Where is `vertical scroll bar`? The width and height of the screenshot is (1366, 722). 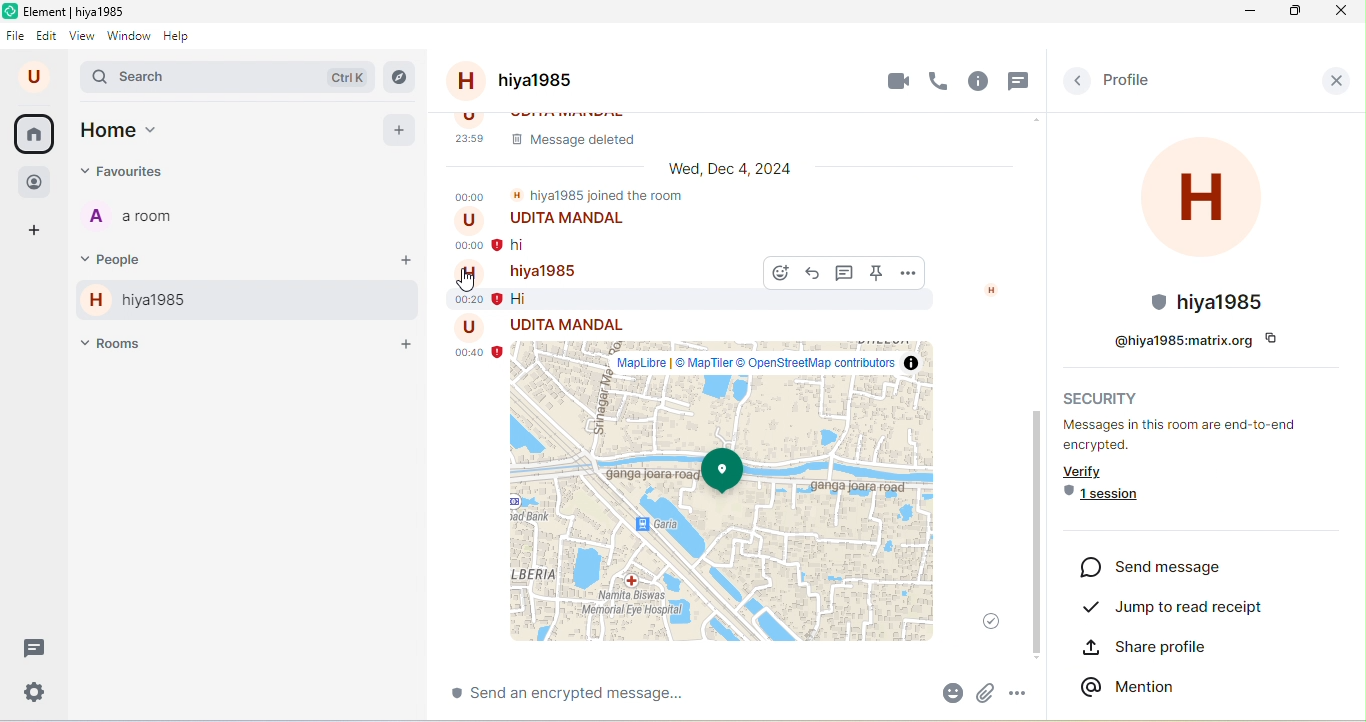 vertical scroll bar is located at coordinates (1353, 521).